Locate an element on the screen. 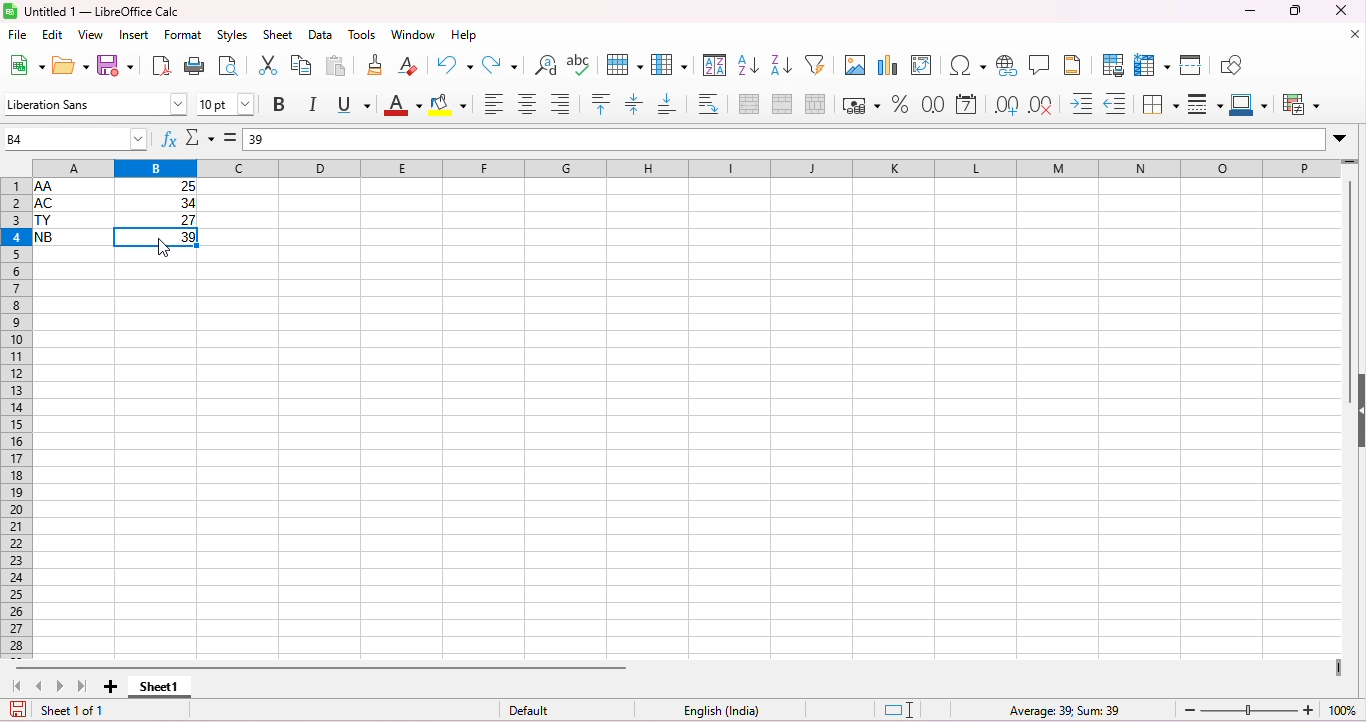 Image resolution: width=1366 pixels, height=722 pixels. vertical scroll bar is located at coordinates (1352, 266).